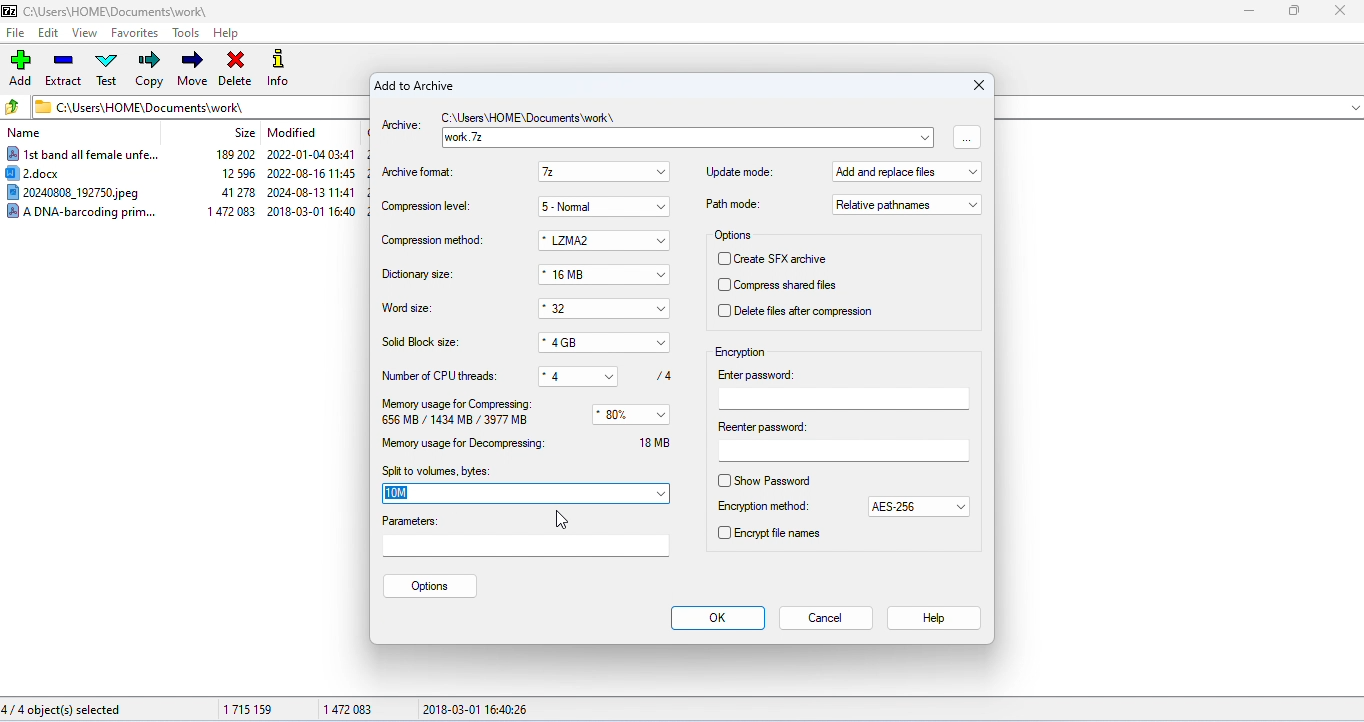 Image resolution: width=1364 pixels, height=722 pixels. Describe the element at coordinates (404, 494) in the screenshot. I see `10M selected` at that location.